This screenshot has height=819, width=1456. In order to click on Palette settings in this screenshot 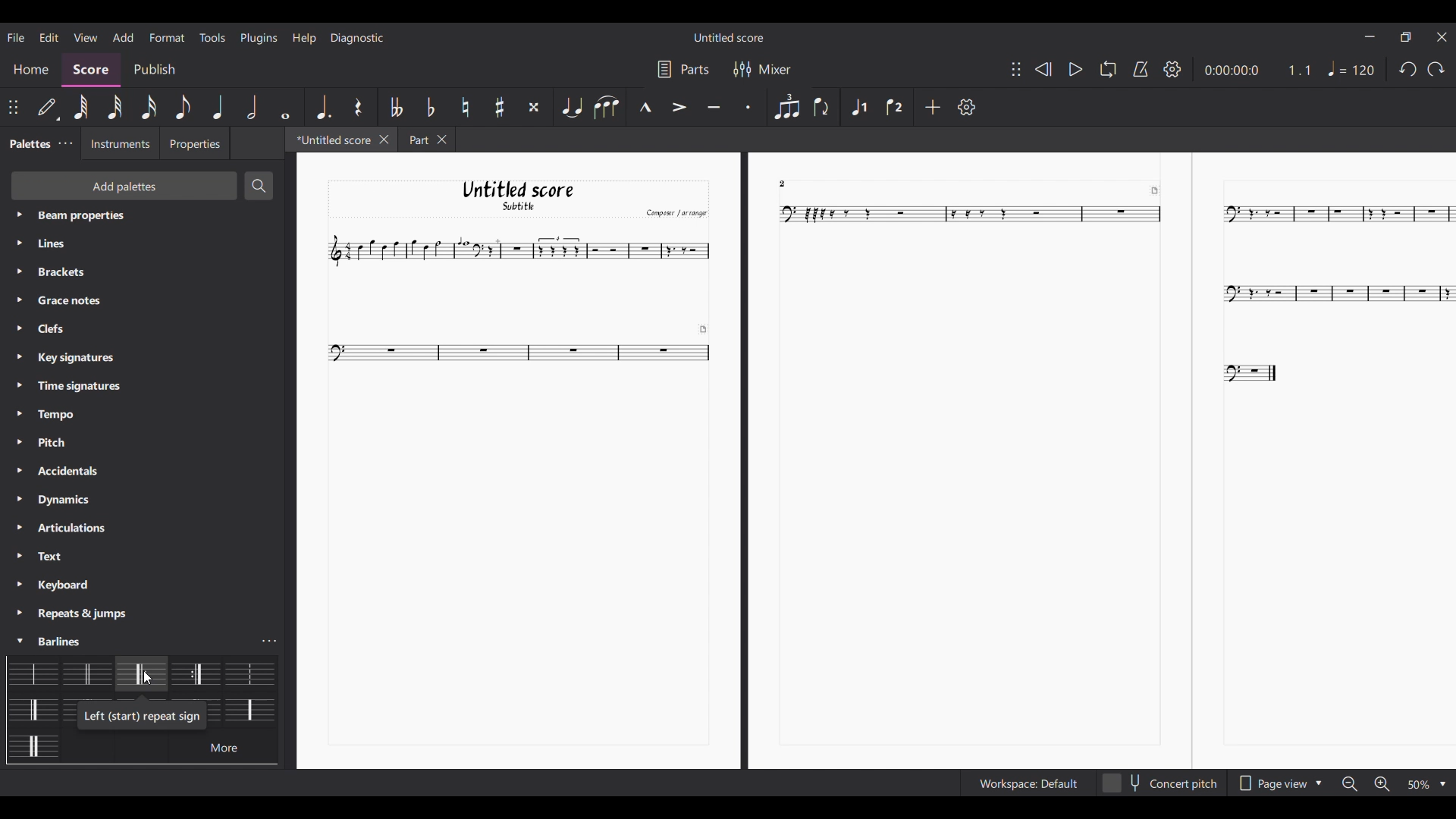, I will do `click(52, 639)`.